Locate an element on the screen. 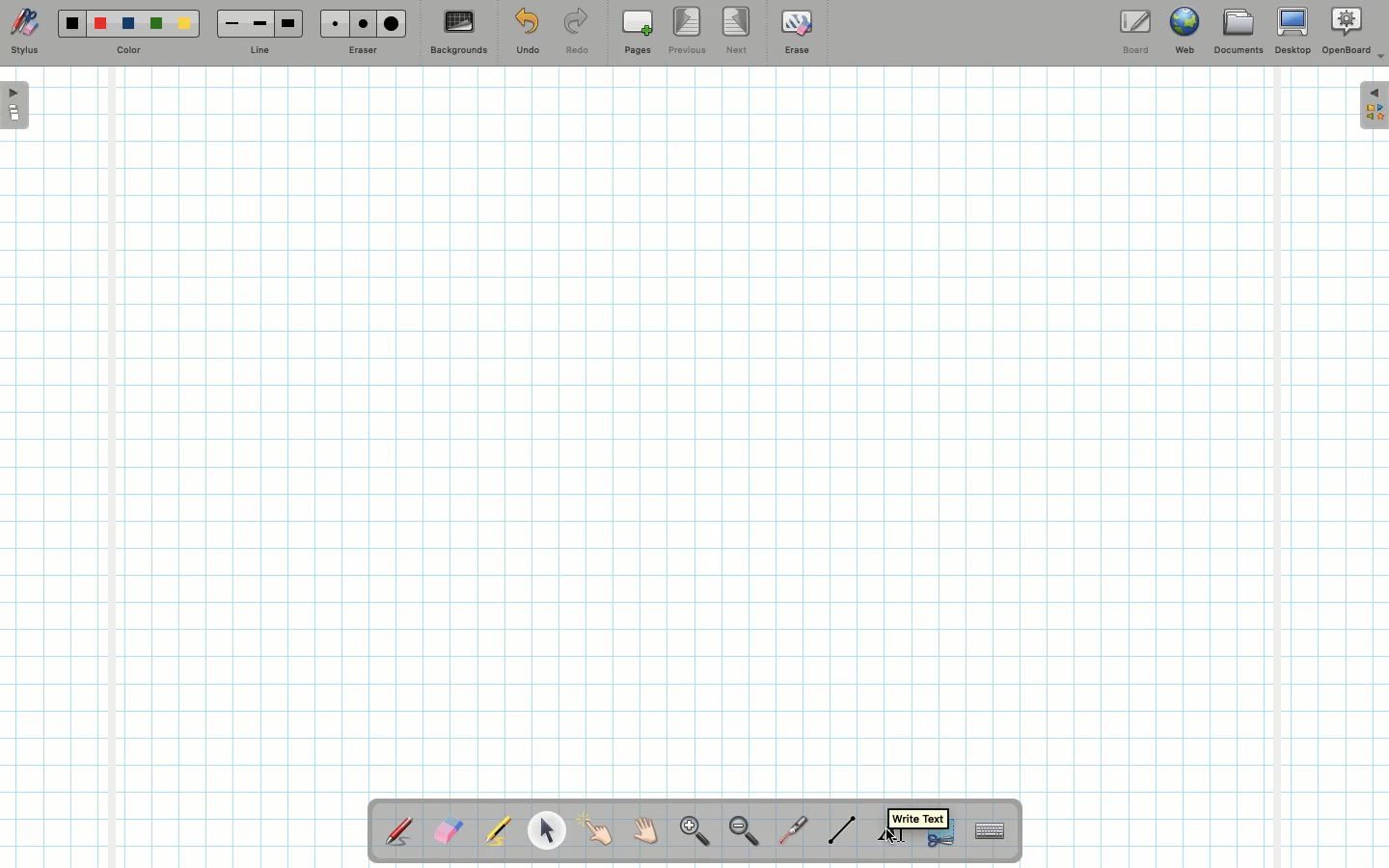 The image size is (1389, 868). Highlighter is located at coordinates (496, 832).